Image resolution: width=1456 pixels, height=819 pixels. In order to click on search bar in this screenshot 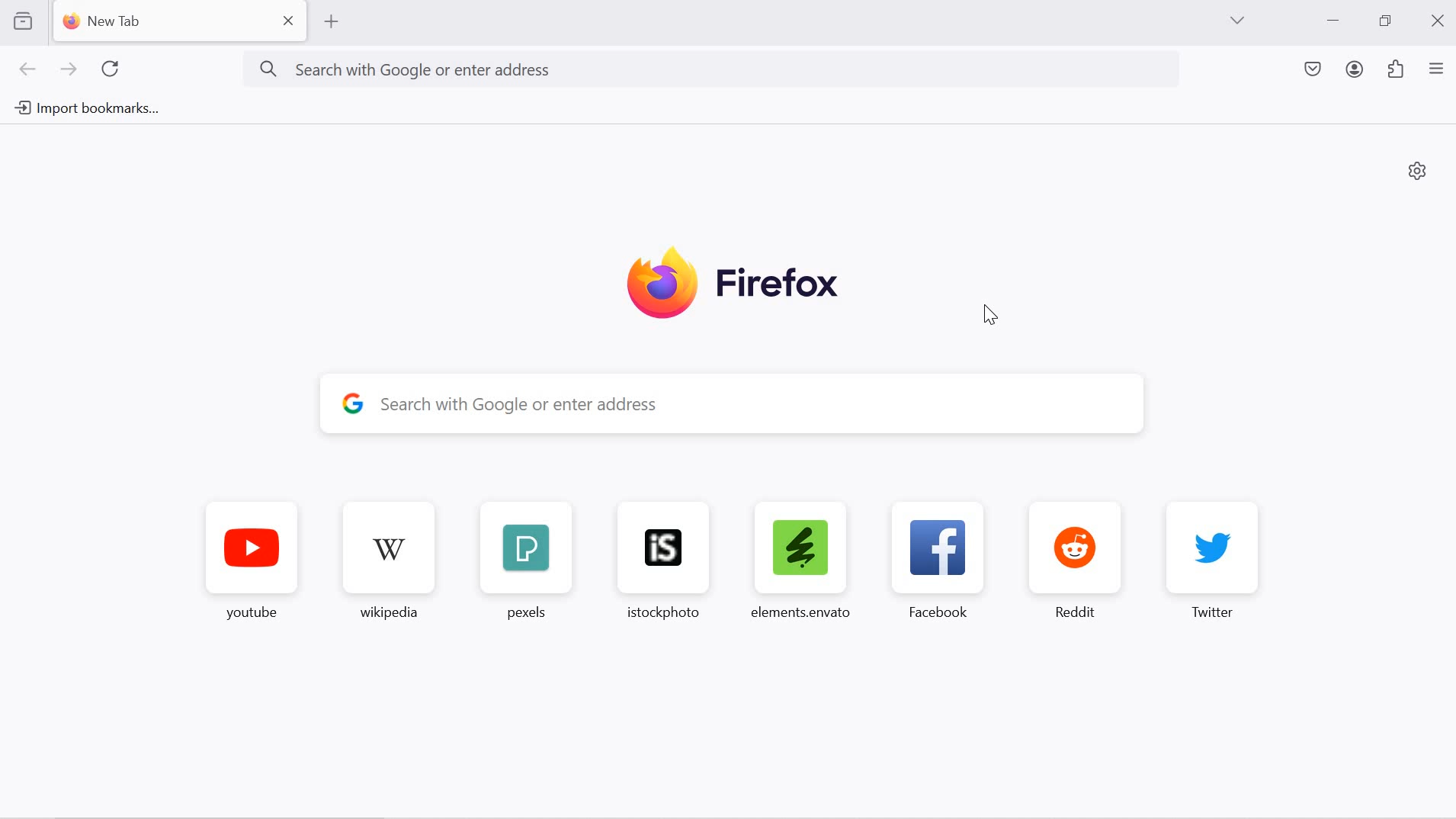, I will do `click(762, 408)`.